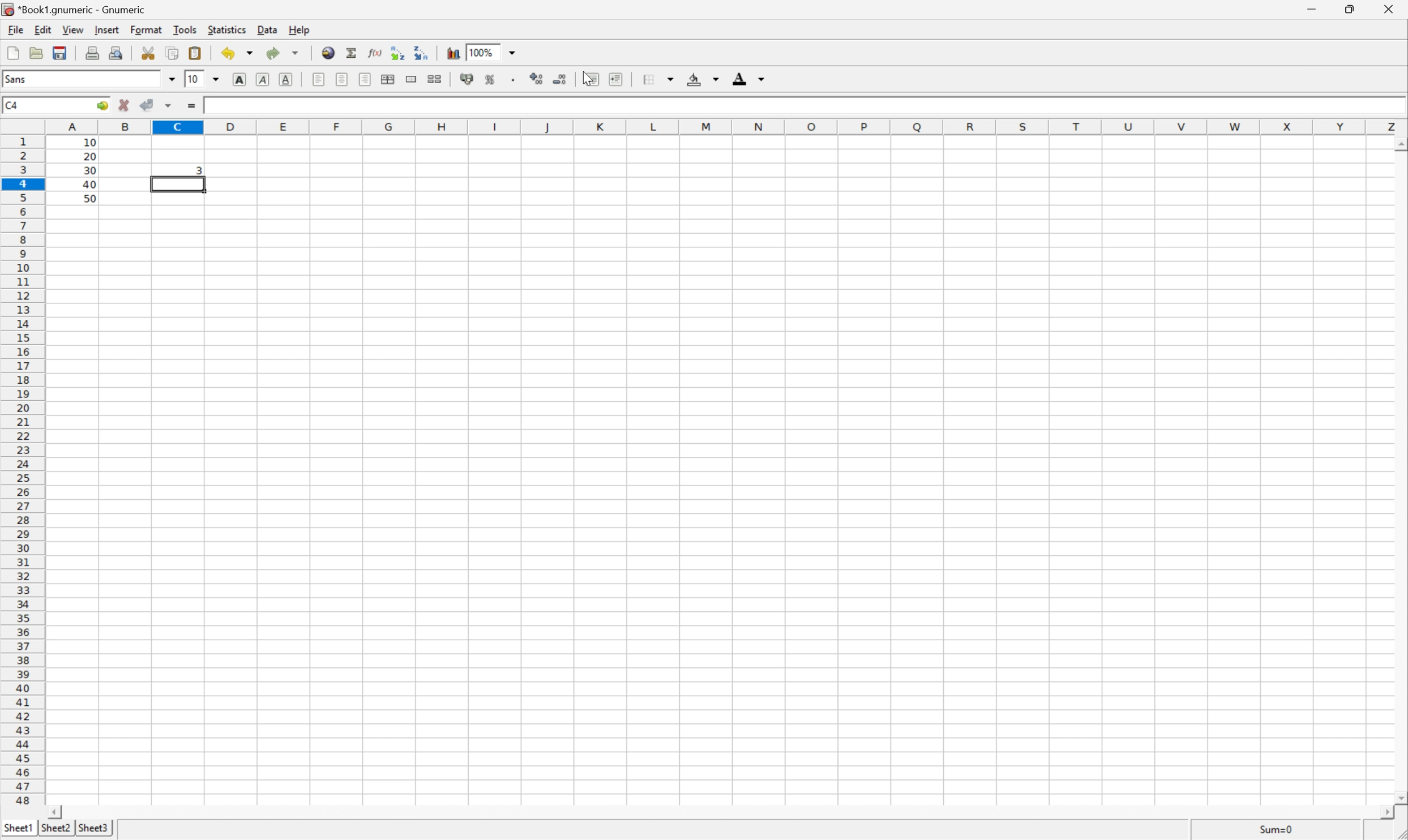 The height and width of the screenshot is (840, 1408). What do you see at coordinates (365, 79) in the screenshot?
I see `Align right` at bounding box center [365, 79].